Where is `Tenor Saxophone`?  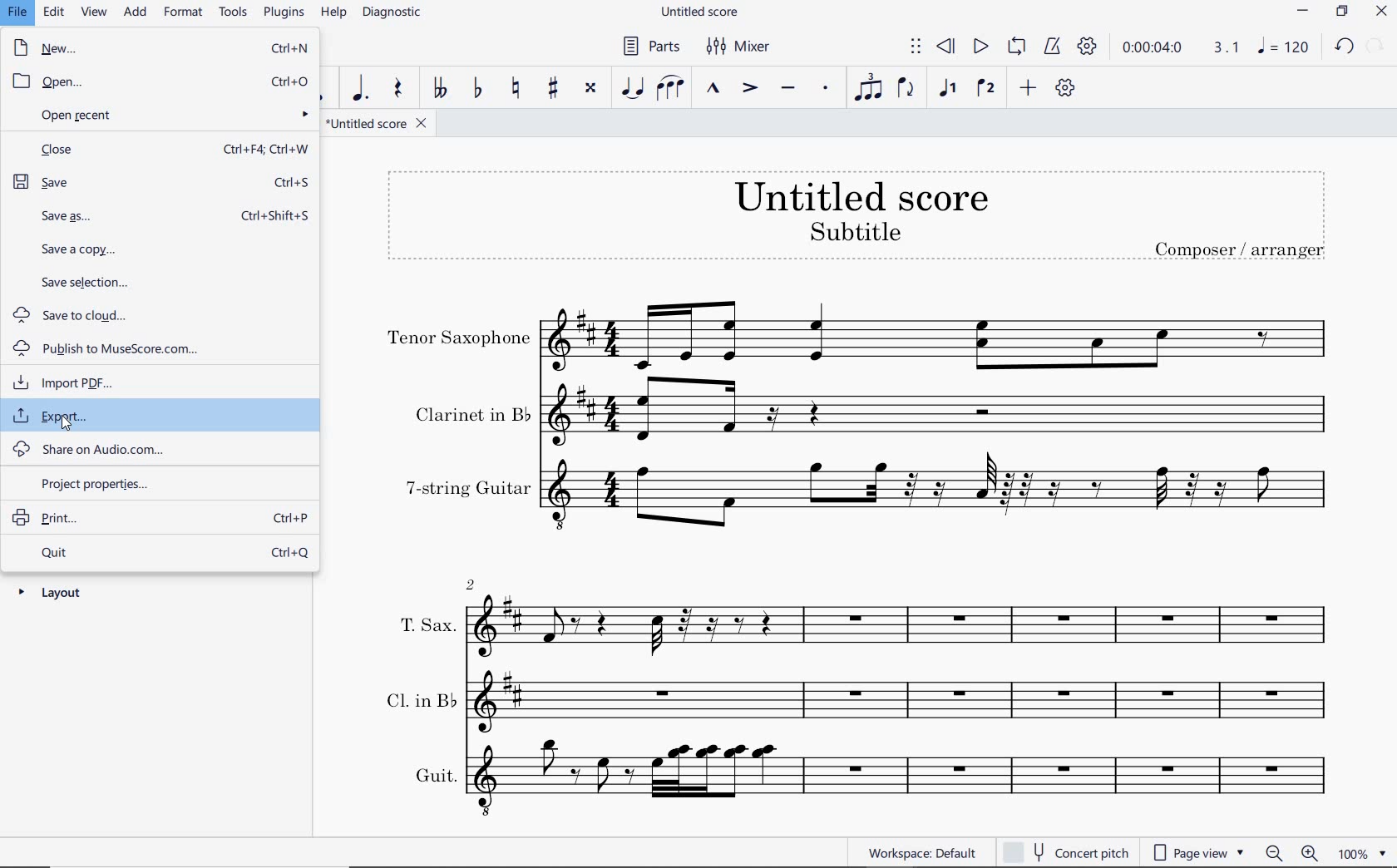 Tenor Saxophone is located at coordinates (857, 334).